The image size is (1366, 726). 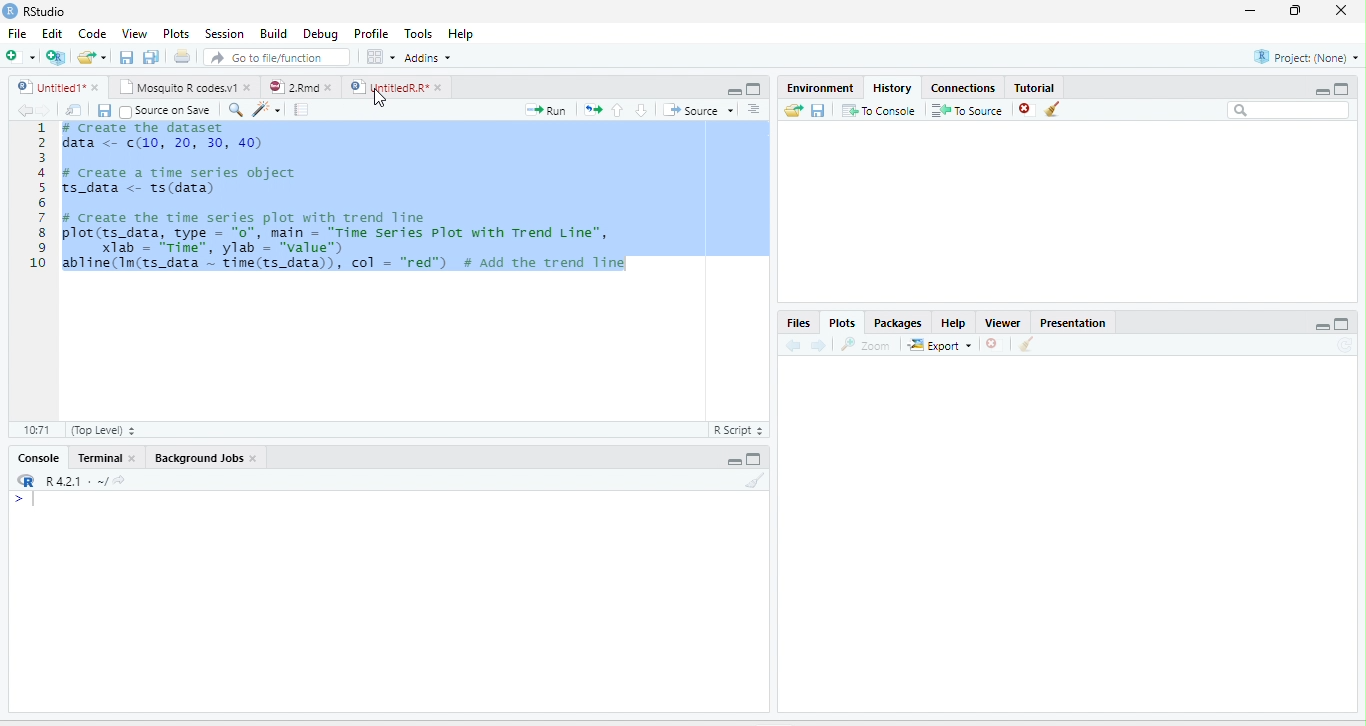 I want to click on Addins, so click(x=428, y=58).